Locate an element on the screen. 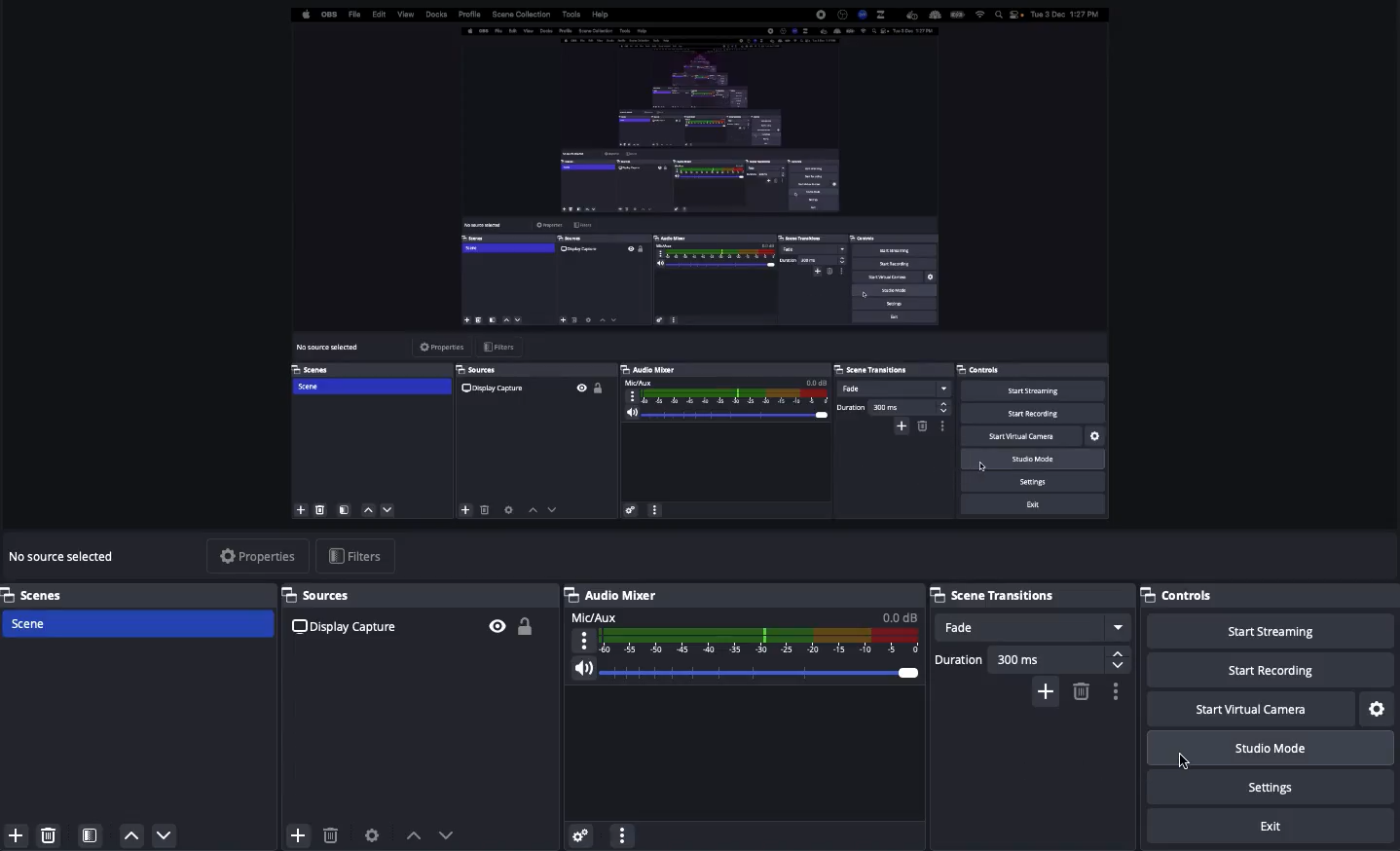 This screenshot has height=851, width=1400. Sources is located at coordinates (419, 596).